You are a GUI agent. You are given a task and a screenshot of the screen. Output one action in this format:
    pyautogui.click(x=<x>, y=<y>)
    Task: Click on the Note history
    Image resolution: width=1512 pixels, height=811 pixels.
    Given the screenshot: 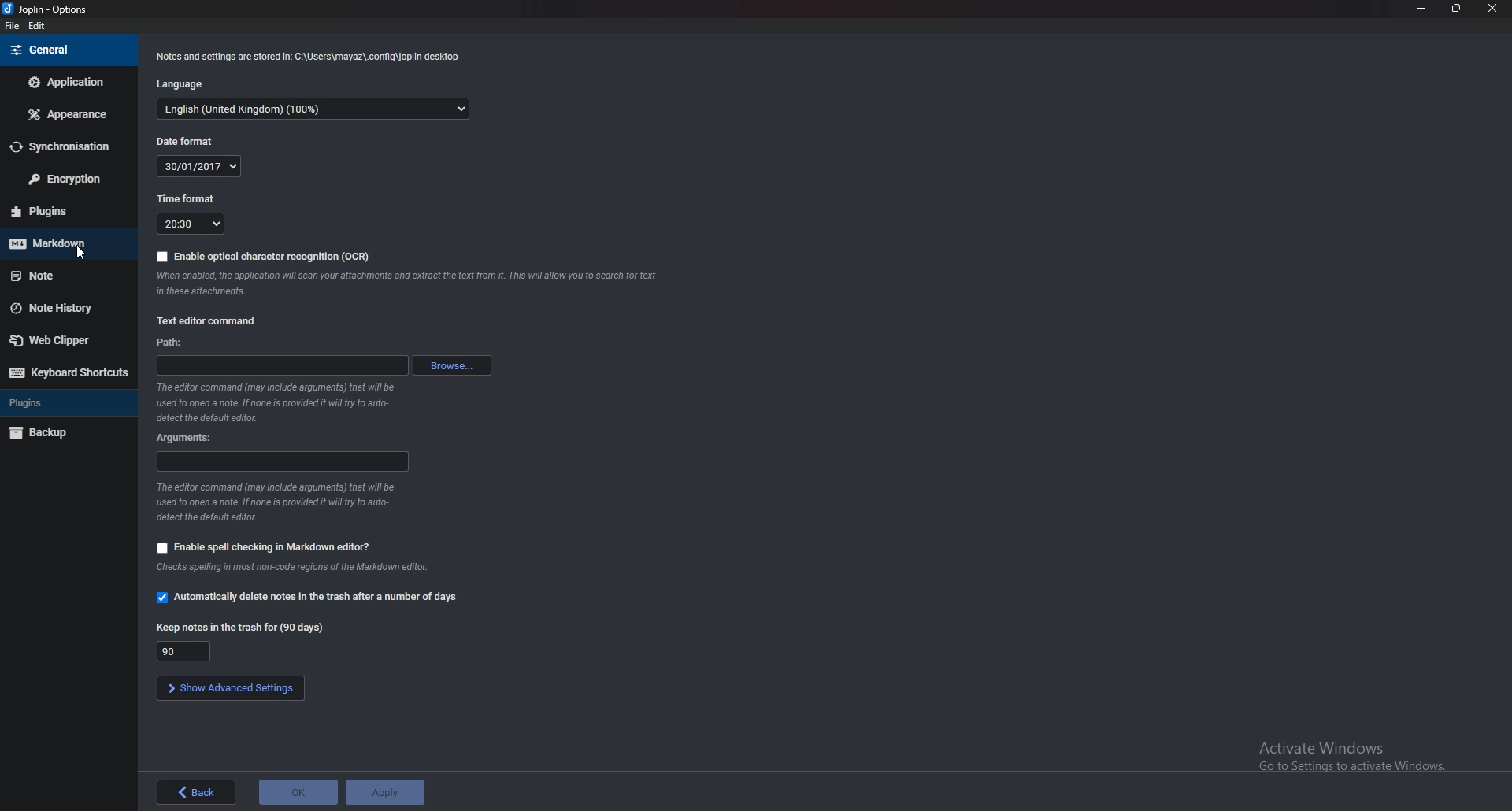 What is the action you would take?
    pyautogui.click(x=69, y=307)
    